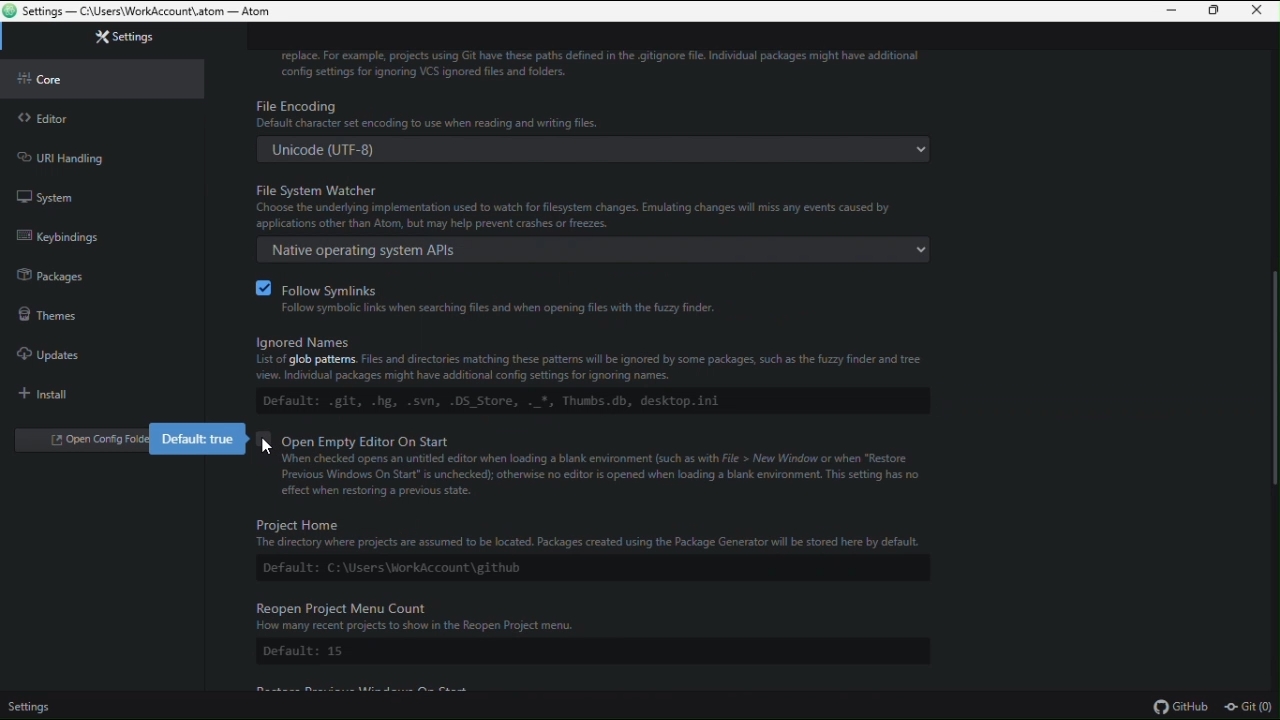  I want to click on native os, so click(588, 250).